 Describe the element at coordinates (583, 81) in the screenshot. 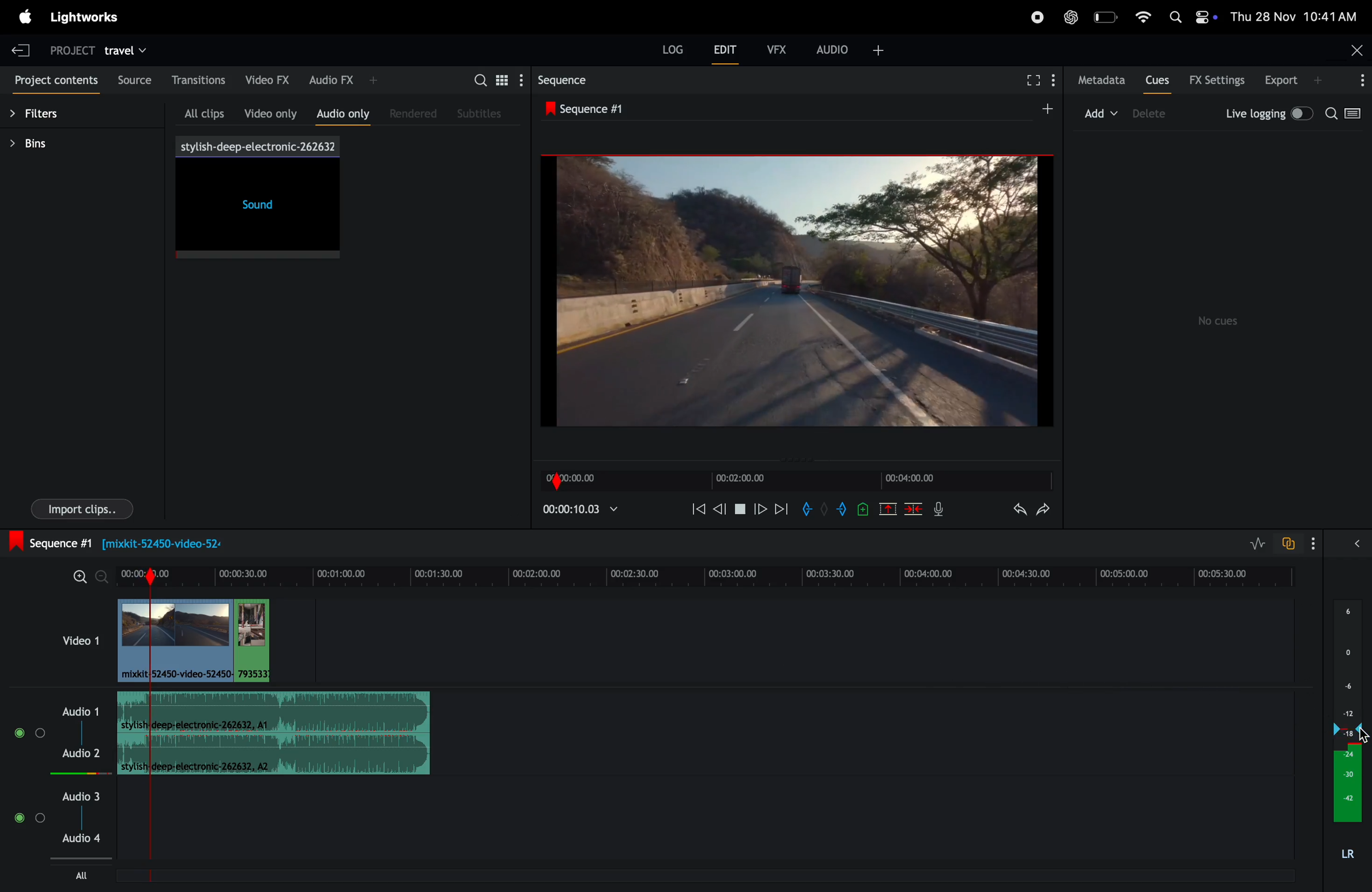

I see `sequence` at that location.